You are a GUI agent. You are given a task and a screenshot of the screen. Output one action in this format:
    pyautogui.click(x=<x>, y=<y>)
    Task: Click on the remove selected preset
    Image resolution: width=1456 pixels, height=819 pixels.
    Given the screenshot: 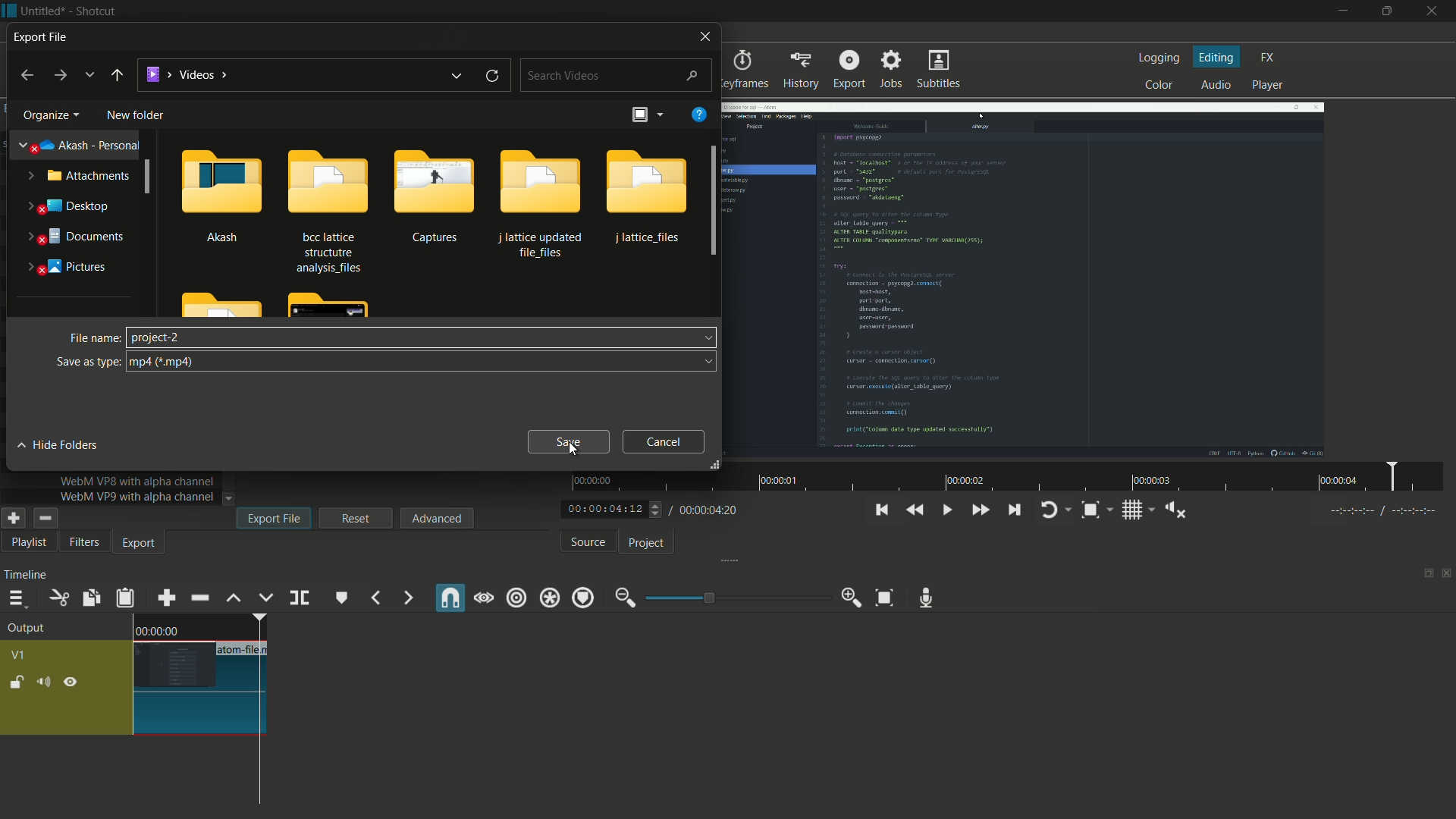 What is the action you would take?
    pyautogui.click(x=45, y=518)
    